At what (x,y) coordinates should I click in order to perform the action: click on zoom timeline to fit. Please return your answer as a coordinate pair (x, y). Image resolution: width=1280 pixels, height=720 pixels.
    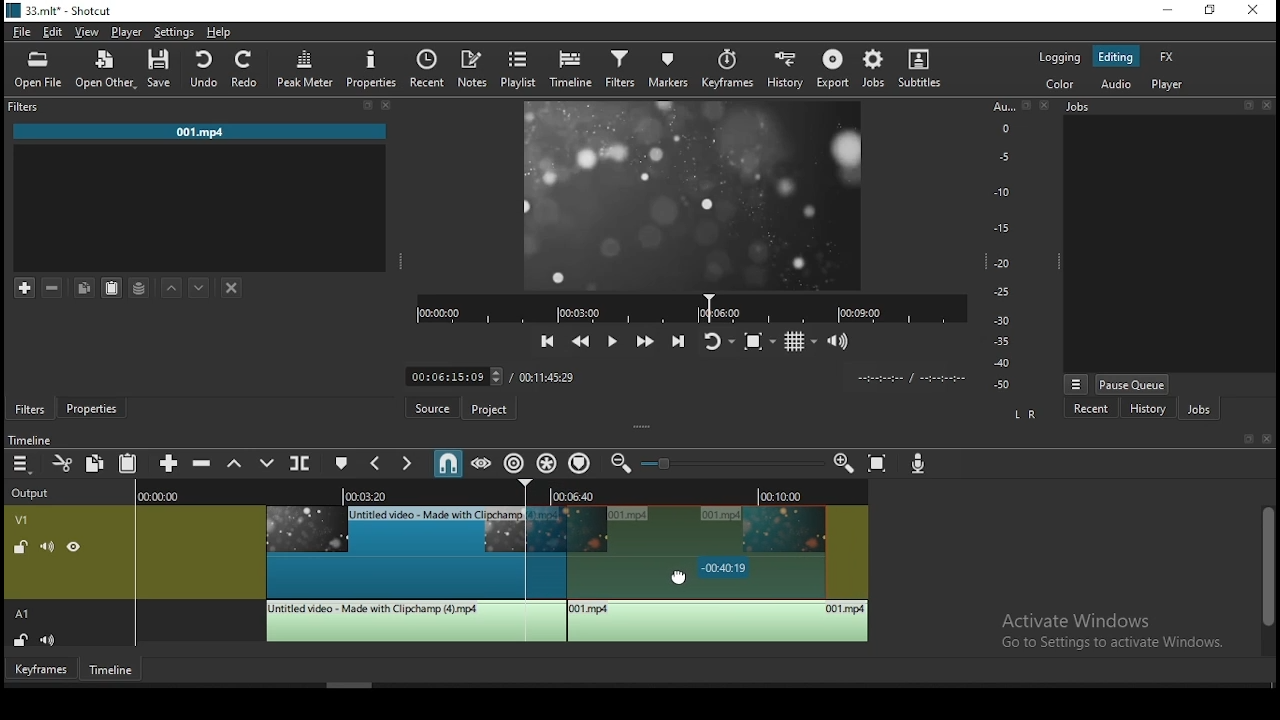
    Looking at the image, I should click on (884, 464).